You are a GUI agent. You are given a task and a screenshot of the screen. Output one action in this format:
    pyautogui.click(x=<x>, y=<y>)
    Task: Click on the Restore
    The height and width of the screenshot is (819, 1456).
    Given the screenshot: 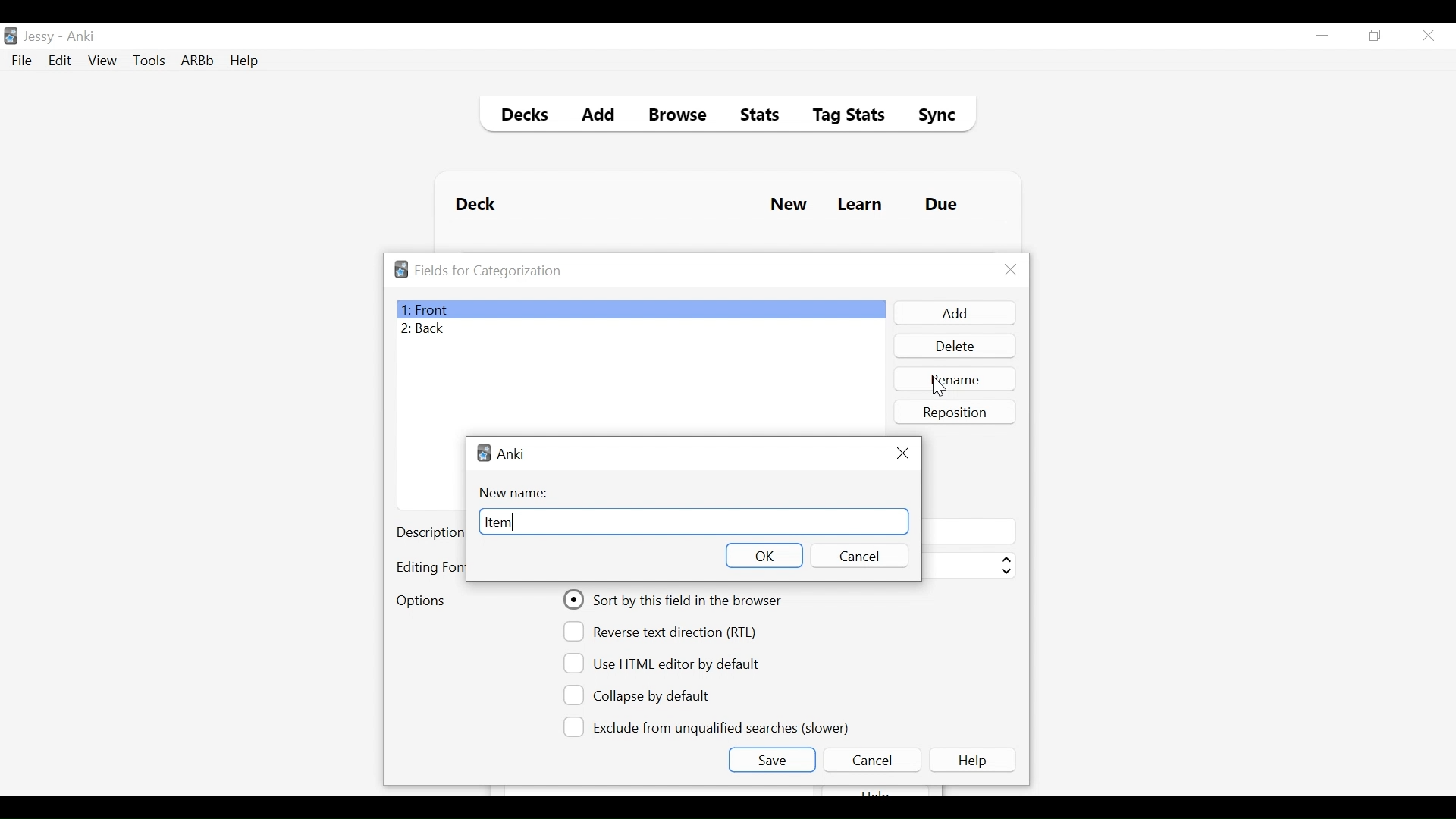 What is the action you would take?
    pyautogui.click(x=1376, y=36)
    